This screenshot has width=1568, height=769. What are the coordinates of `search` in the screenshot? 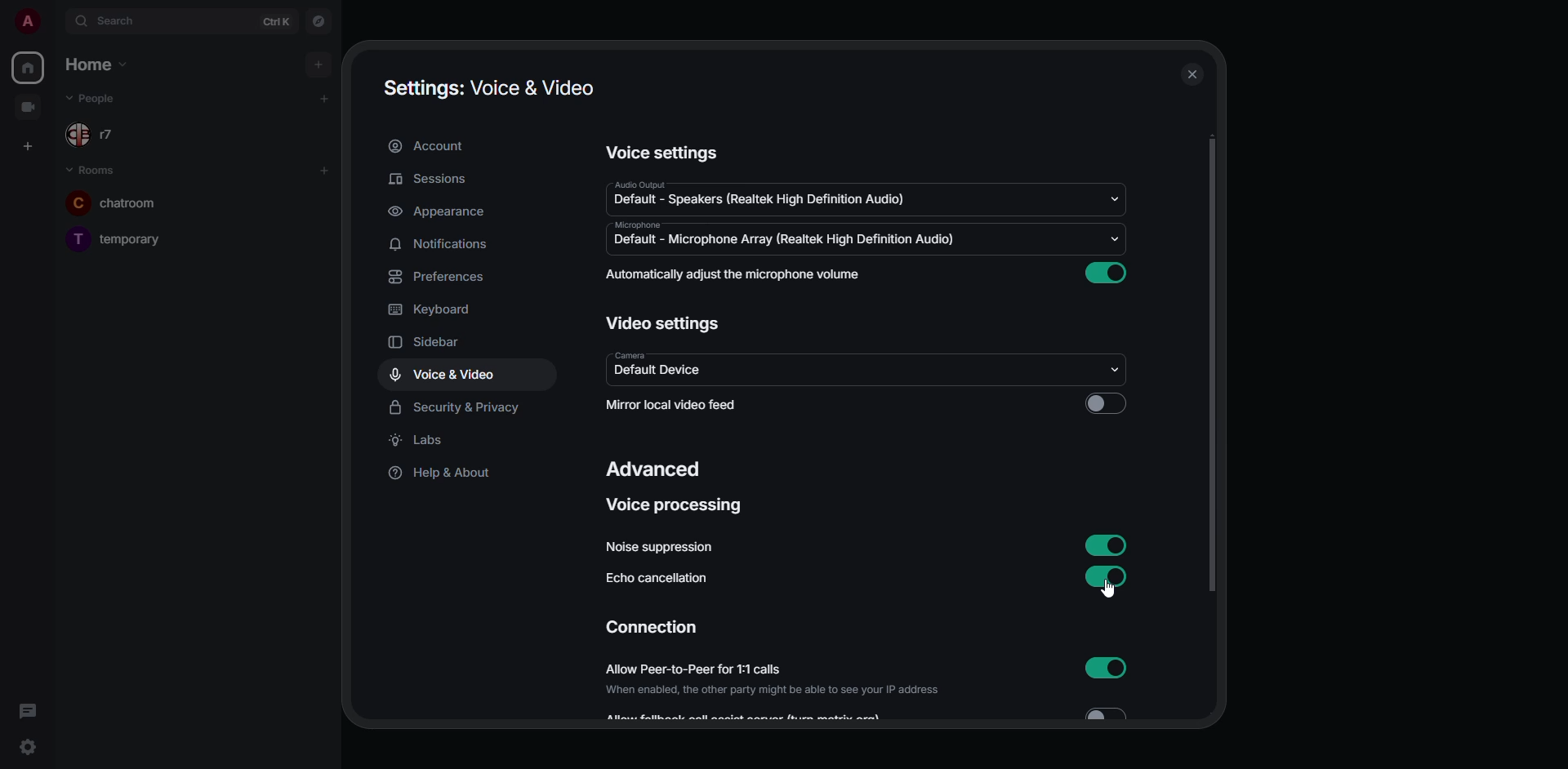 It's located at (120, 21).